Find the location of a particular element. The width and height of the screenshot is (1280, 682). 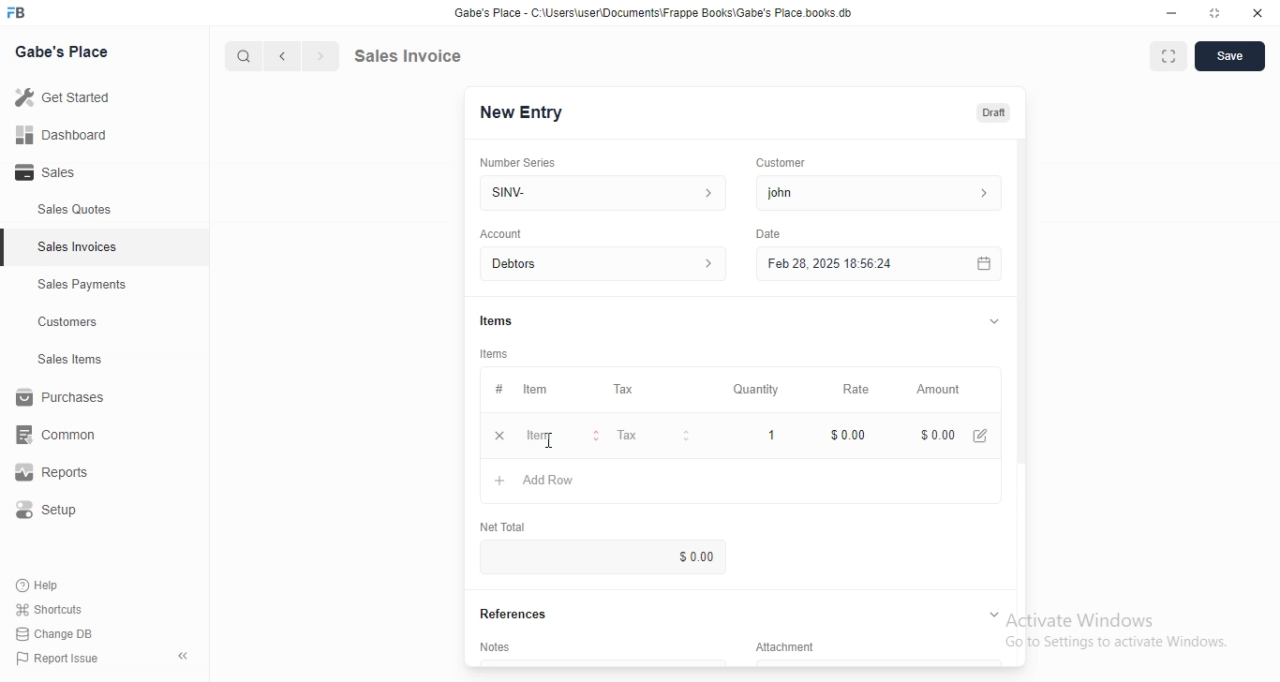

 is located at coordinates (796, 646).